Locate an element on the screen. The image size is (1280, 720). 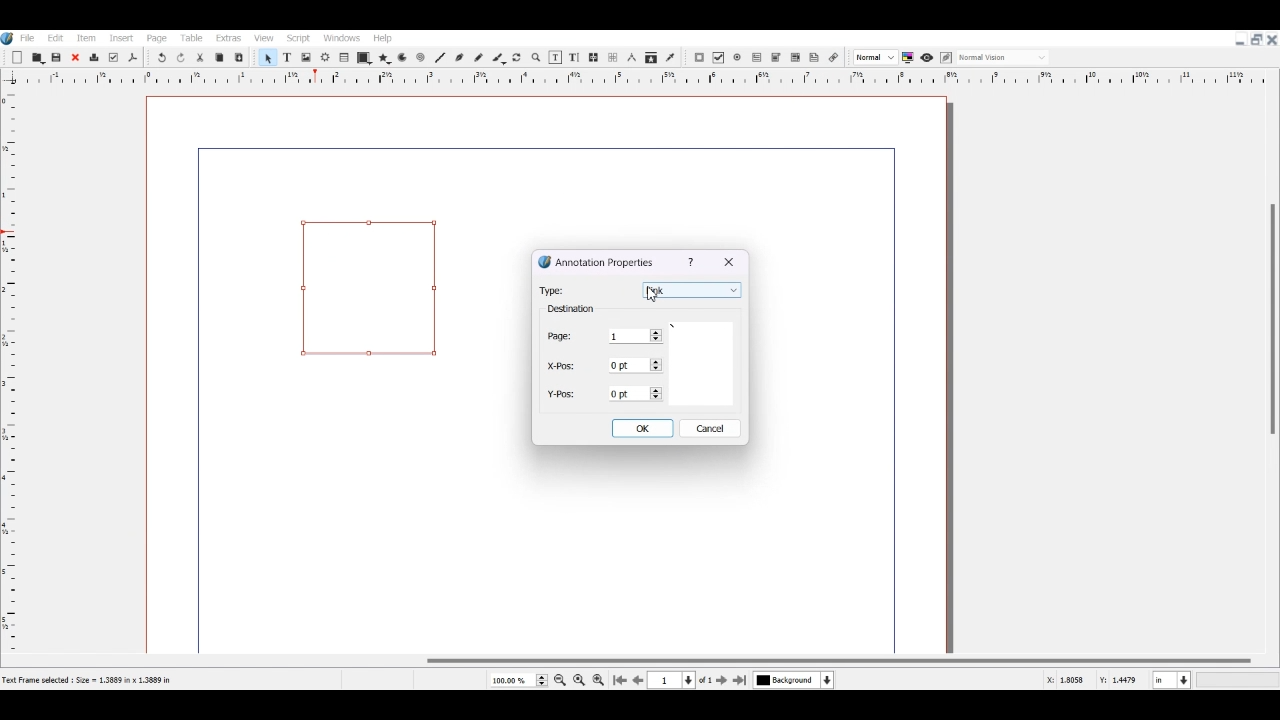
Preview mode is located at coordinates (926, 57).